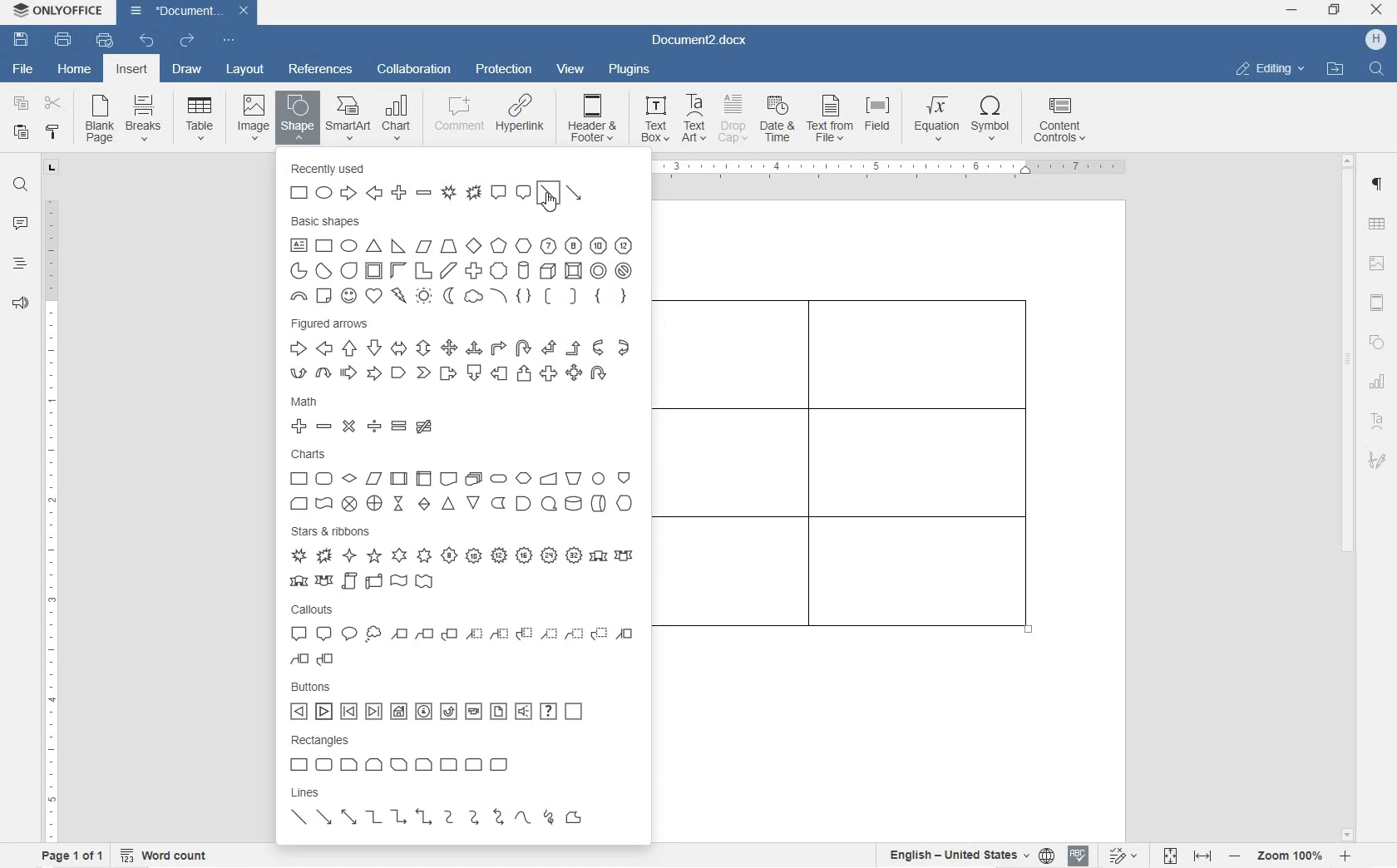  What do you see at coordinates (1291, 856) in the screenshot?
I see `zoom in or out` at bounding box center [1291, 856].